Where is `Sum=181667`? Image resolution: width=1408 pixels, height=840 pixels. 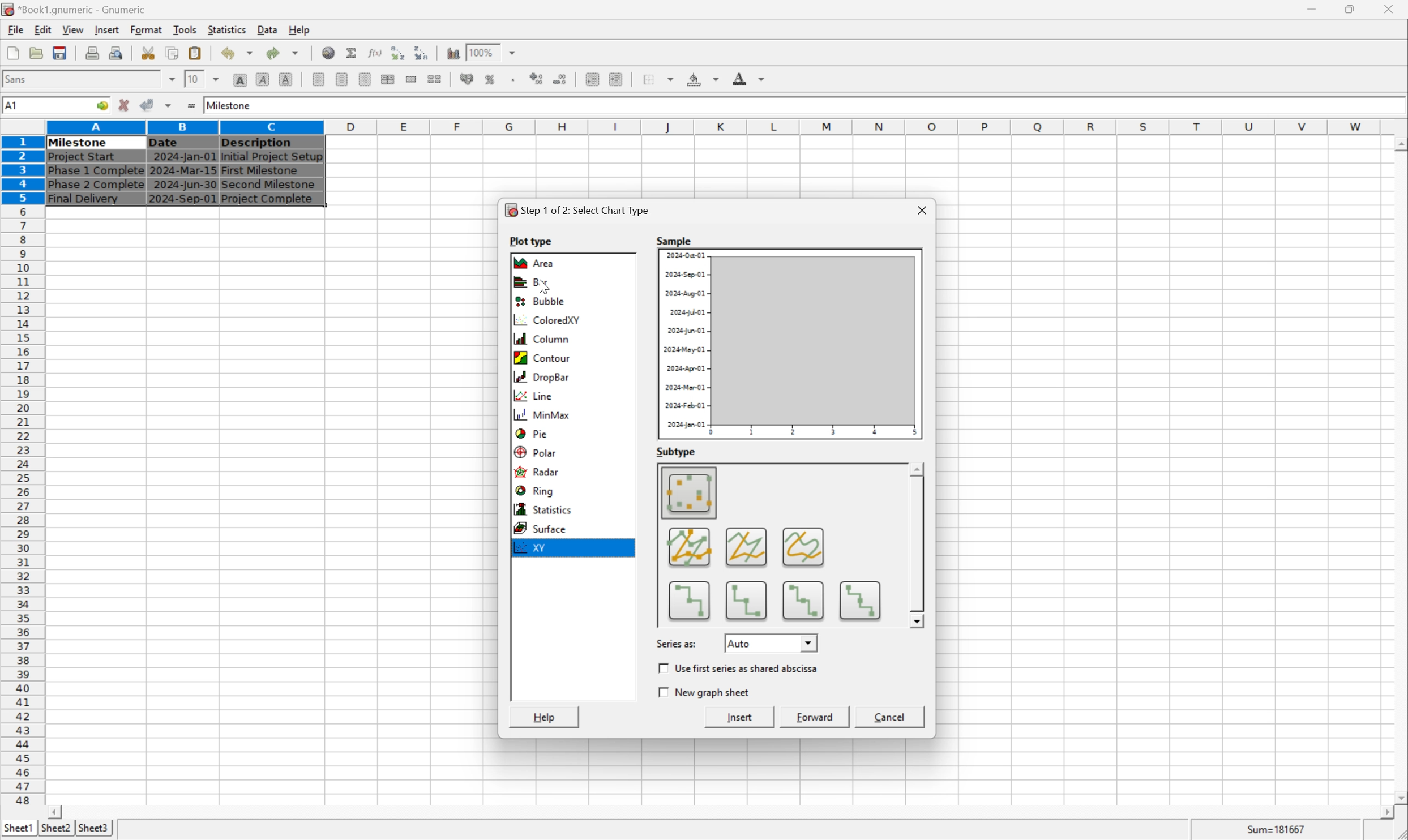 Sum=181667 is located at coordinates (1278, 828).